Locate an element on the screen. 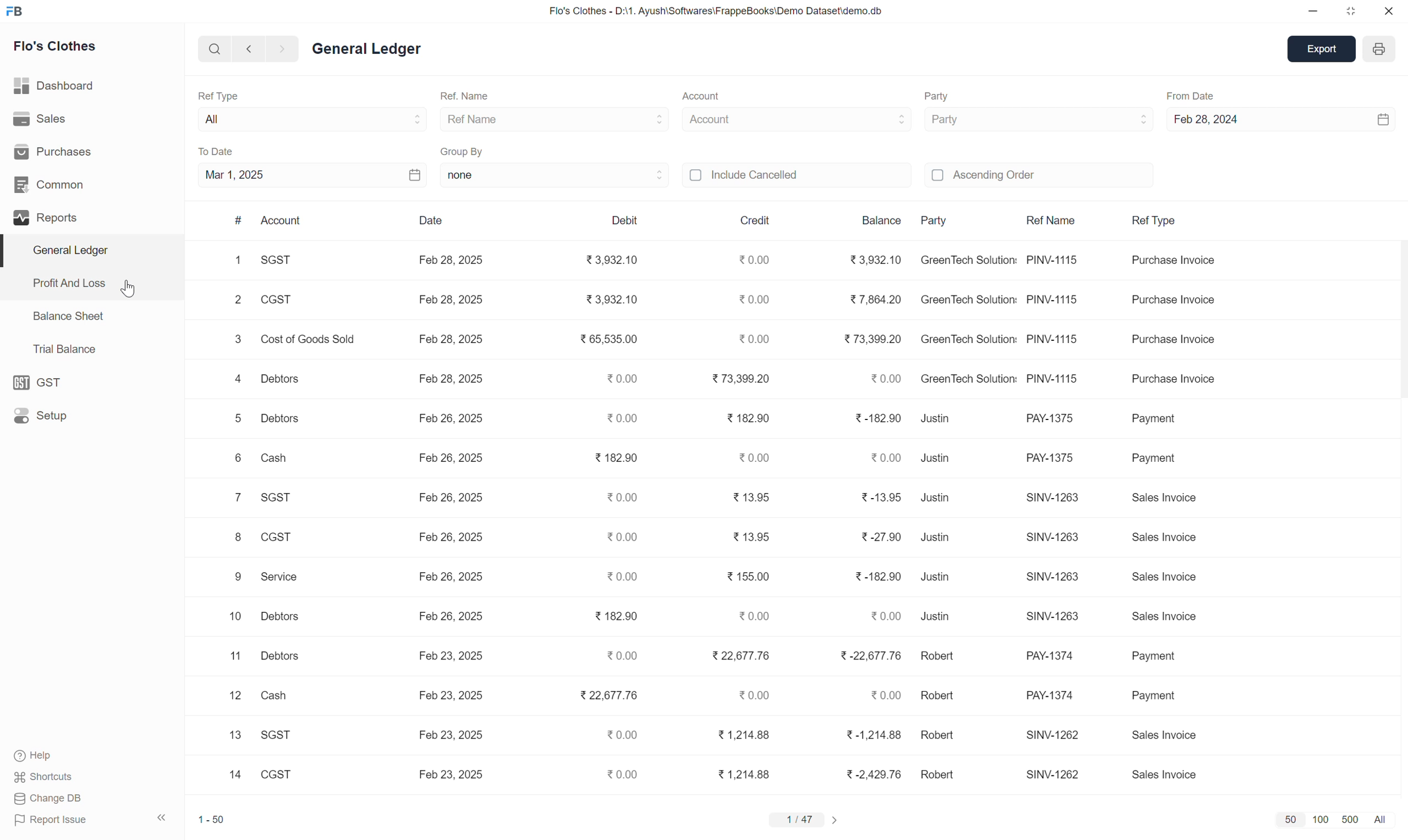  ₹-182.90 is located at coordinates (870, 418).